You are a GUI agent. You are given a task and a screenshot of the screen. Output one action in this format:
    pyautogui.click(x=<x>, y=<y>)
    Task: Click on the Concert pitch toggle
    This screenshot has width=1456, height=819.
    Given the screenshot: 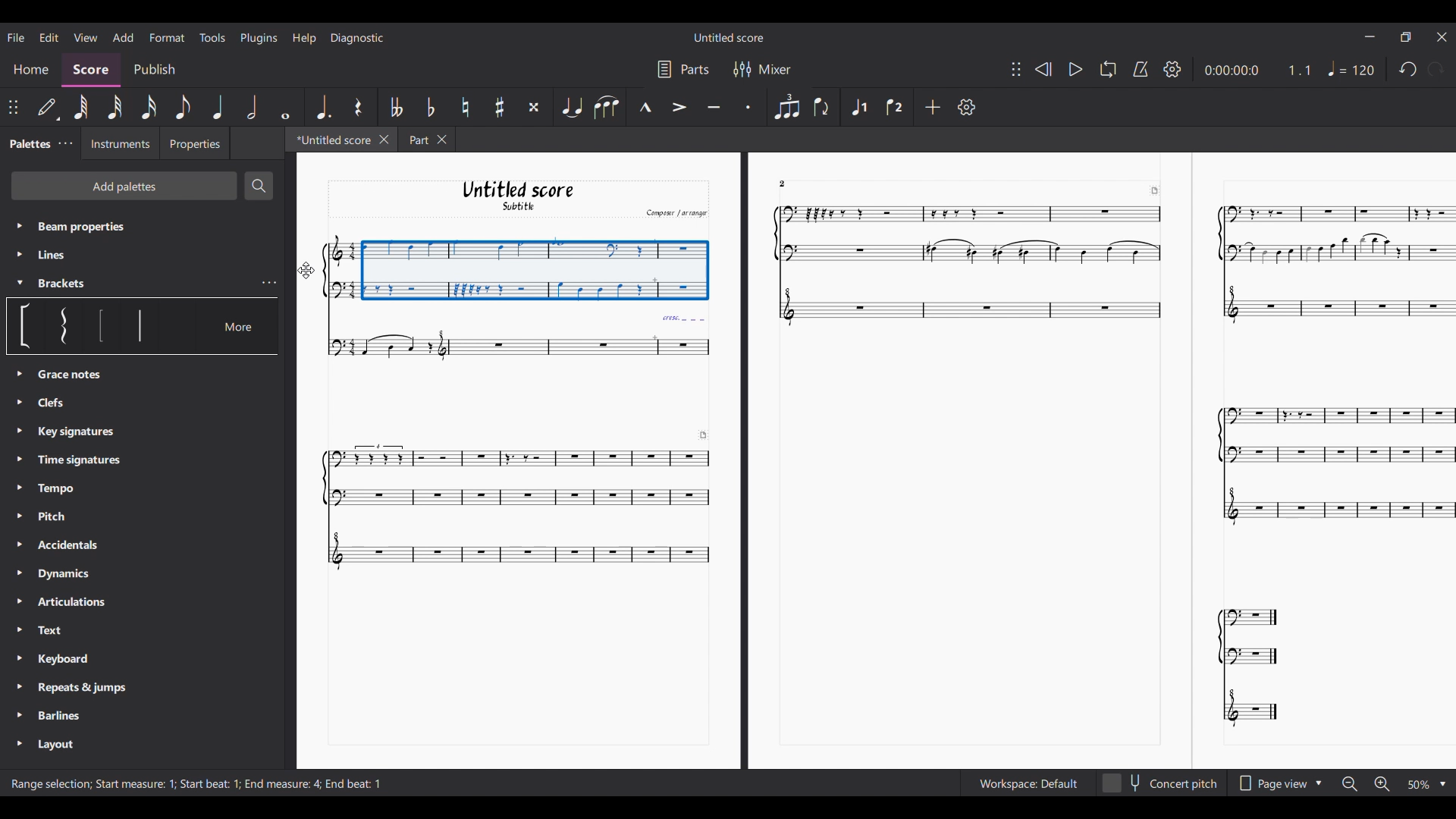 What is the action you would take?
    pyautogui.click(x=1160, y=783)
    